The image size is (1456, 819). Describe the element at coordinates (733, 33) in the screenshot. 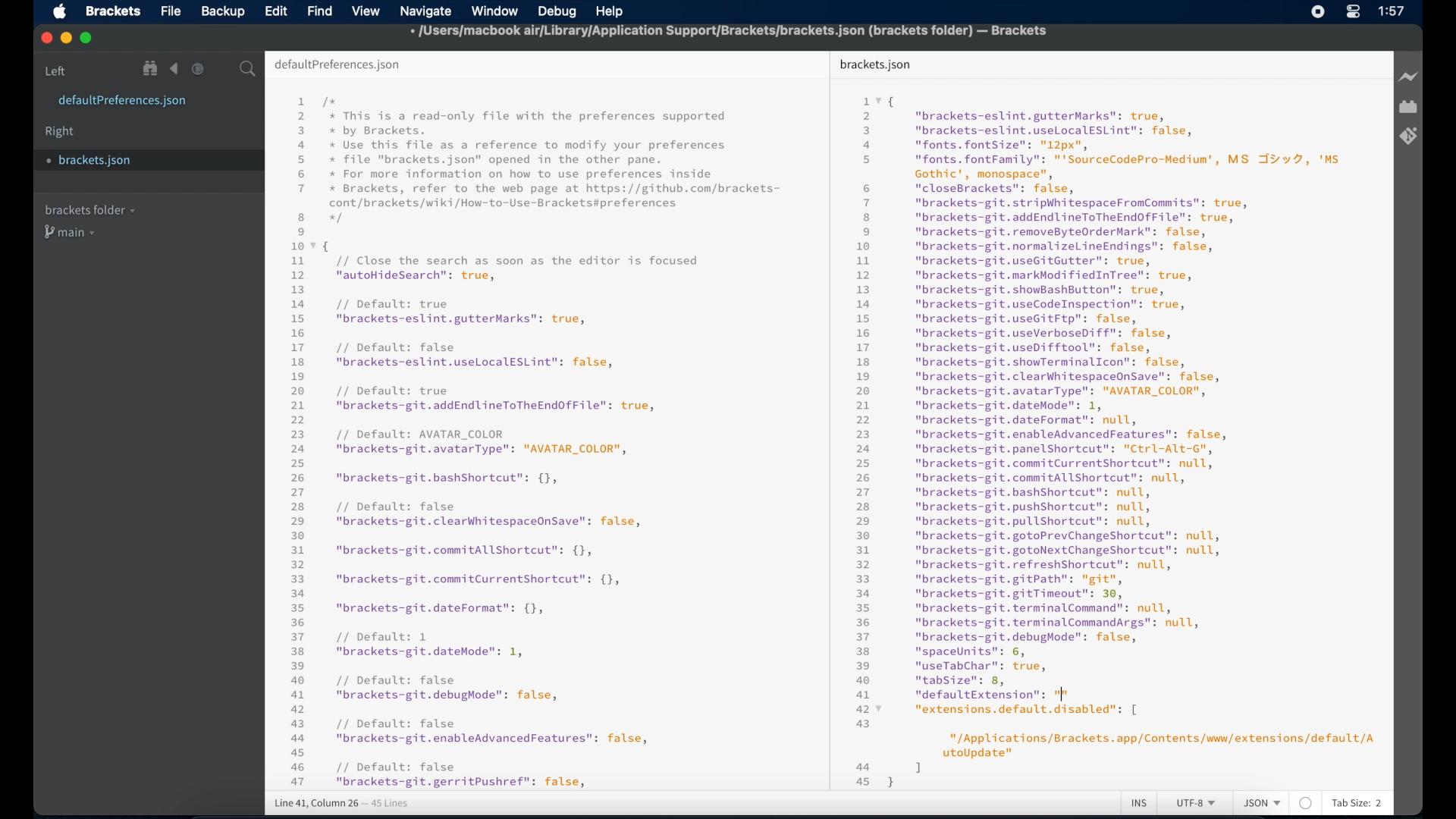

I see `*/Users/macbook air/Library/Application Support/Brackets/brackets.json (brackets folder) — Brackets` at that location.